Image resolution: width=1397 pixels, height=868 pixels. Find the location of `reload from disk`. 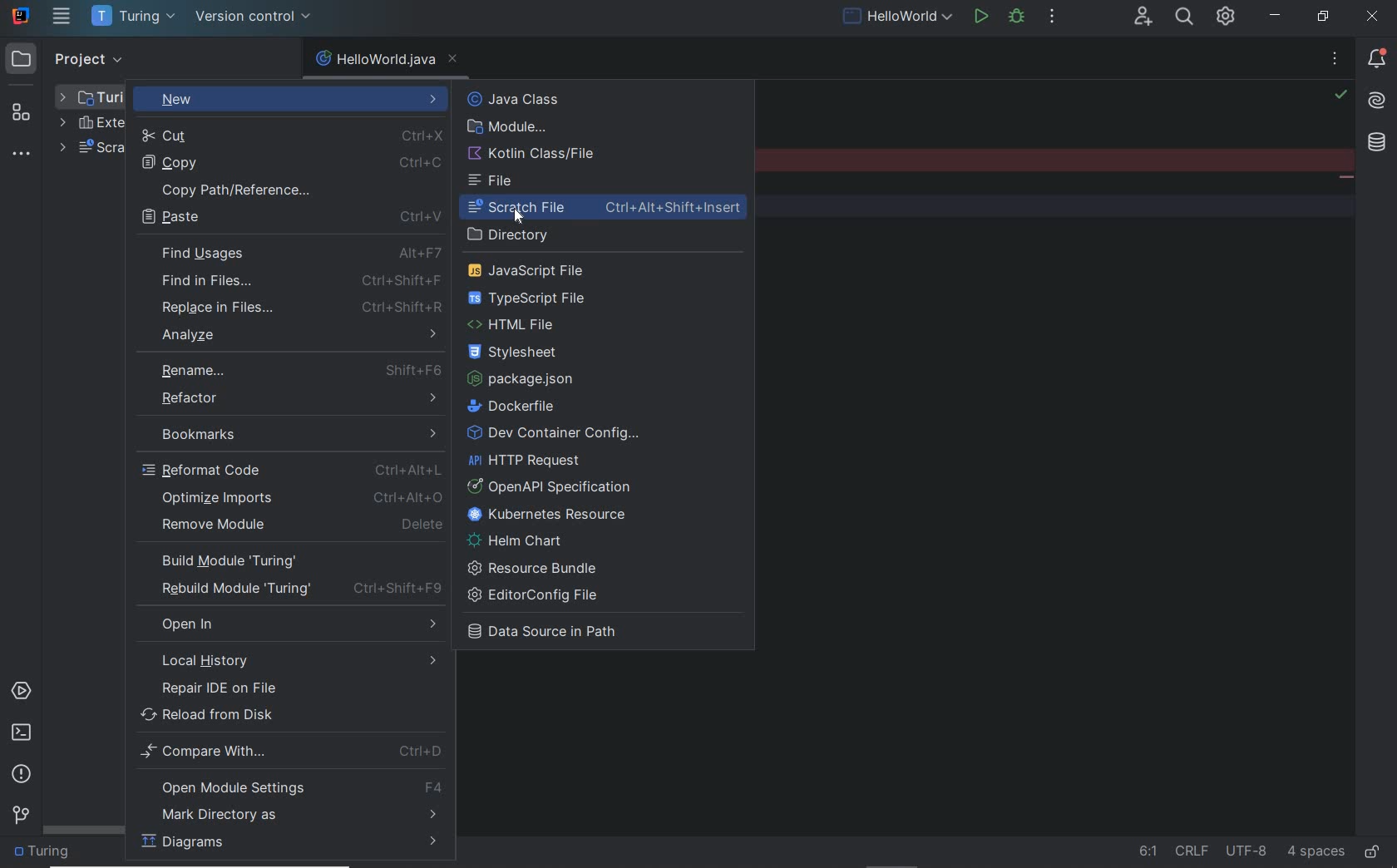

reload from disk is located at coordinates (290, 716).